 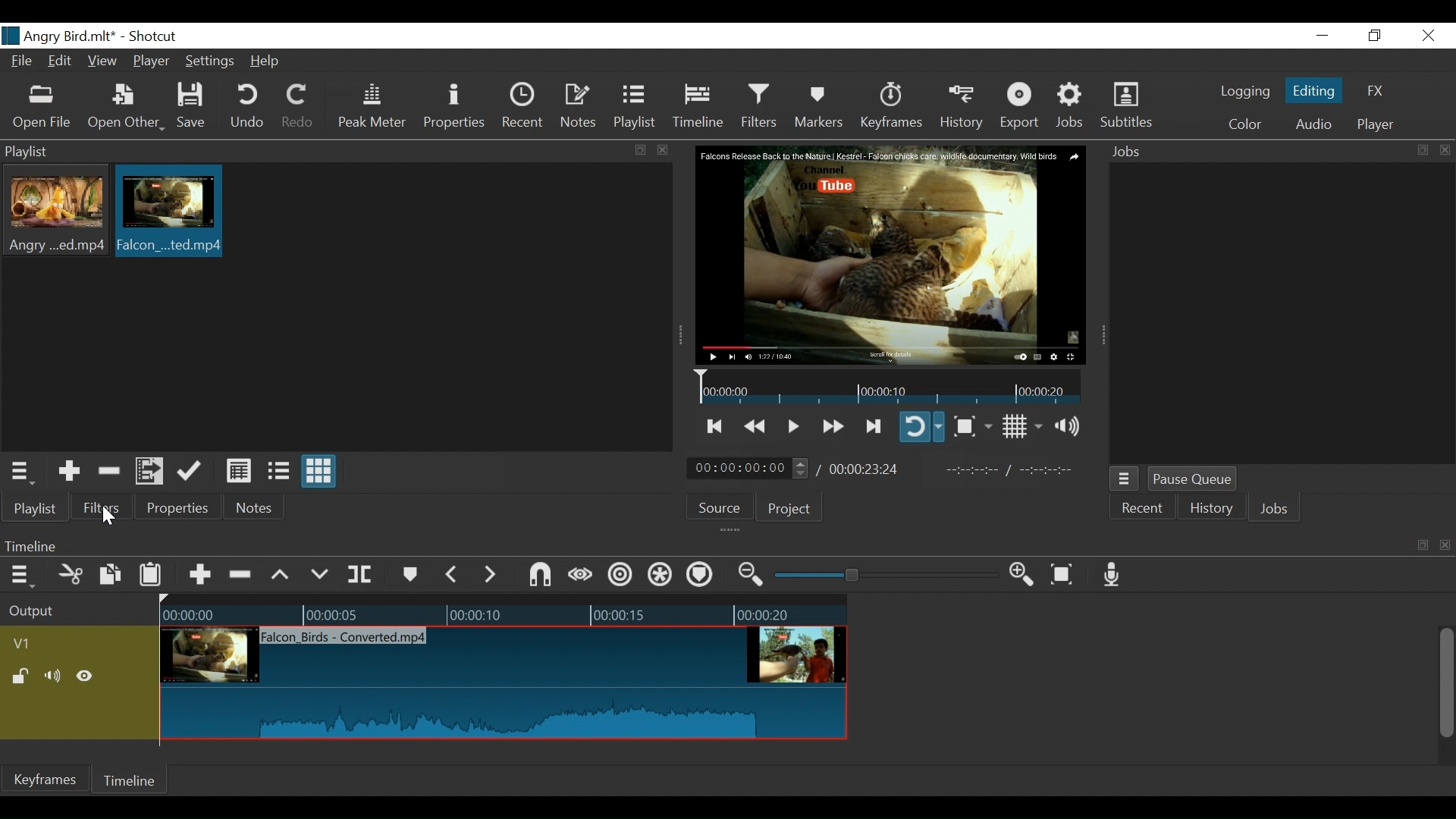 I want to click on logging, so click(x=1245, y=93).